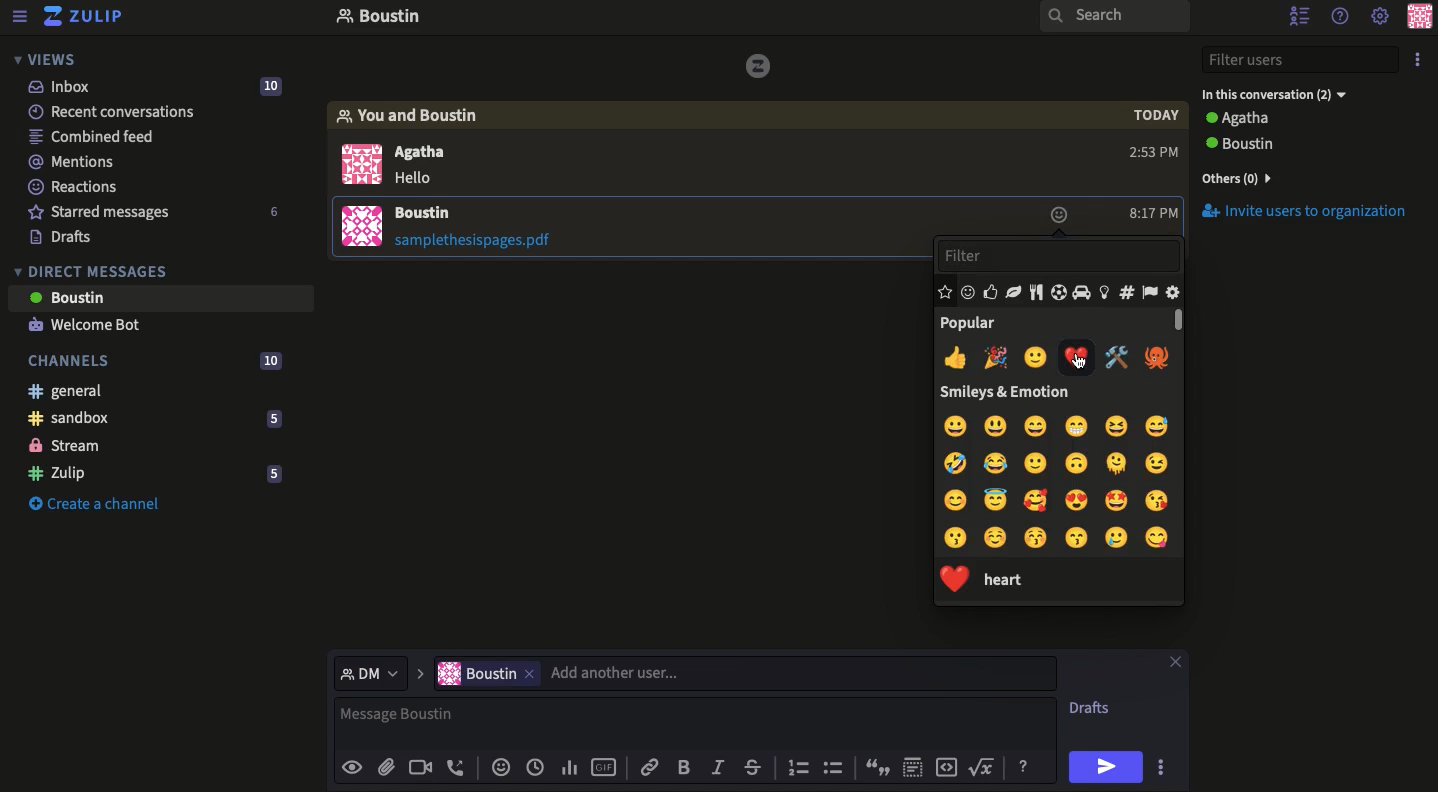 This screenshot has height=792, width=1438. What do you see at coordinates (1037, 463) in the screenshot?
I see `smile` at bounding box center [1037, 463].